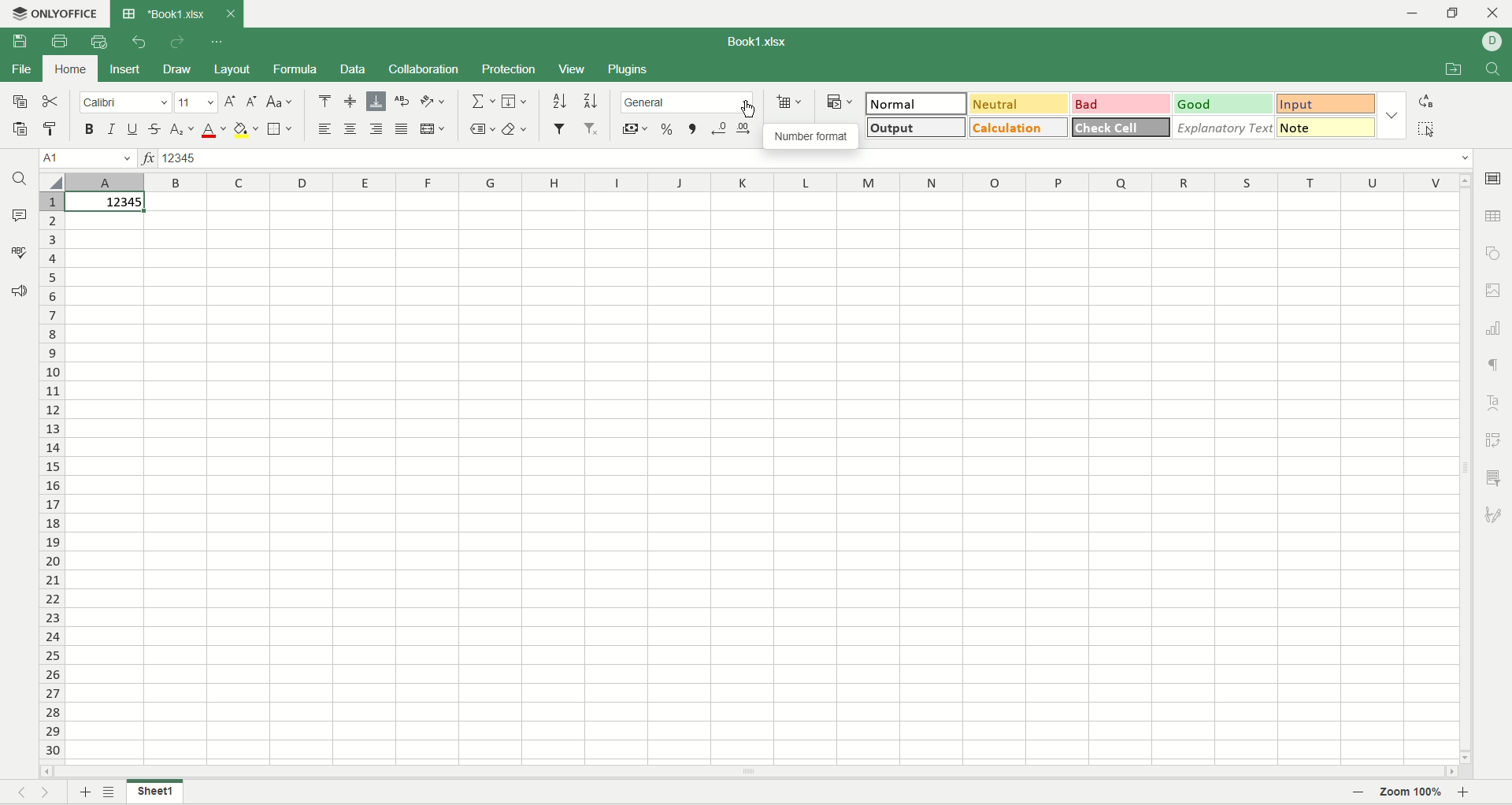 Image resolution: width=1512 pixels, height=805 pixels. I want to click on plugins, so click(629, 69).